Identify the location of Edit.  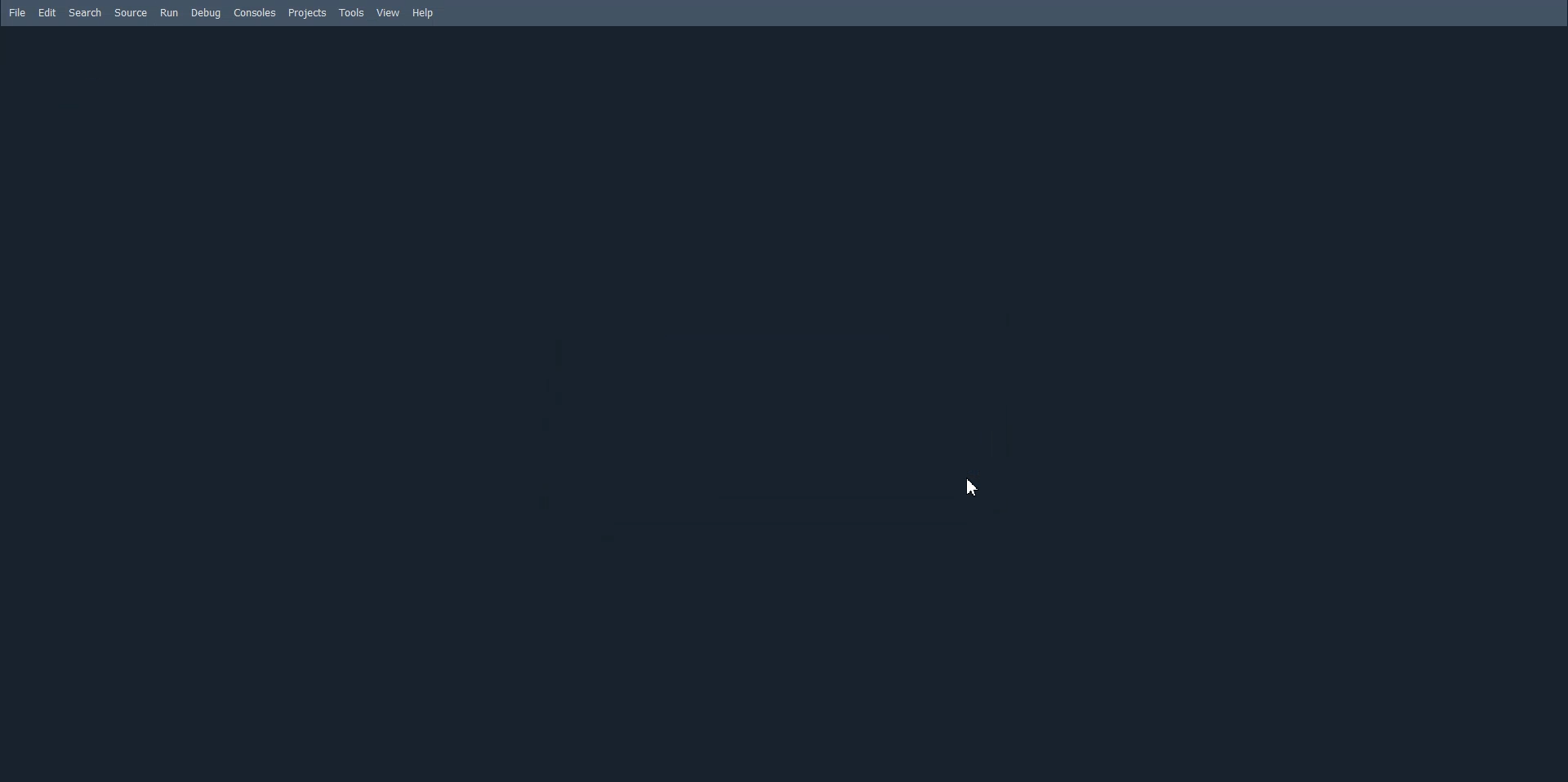
(48, 12).